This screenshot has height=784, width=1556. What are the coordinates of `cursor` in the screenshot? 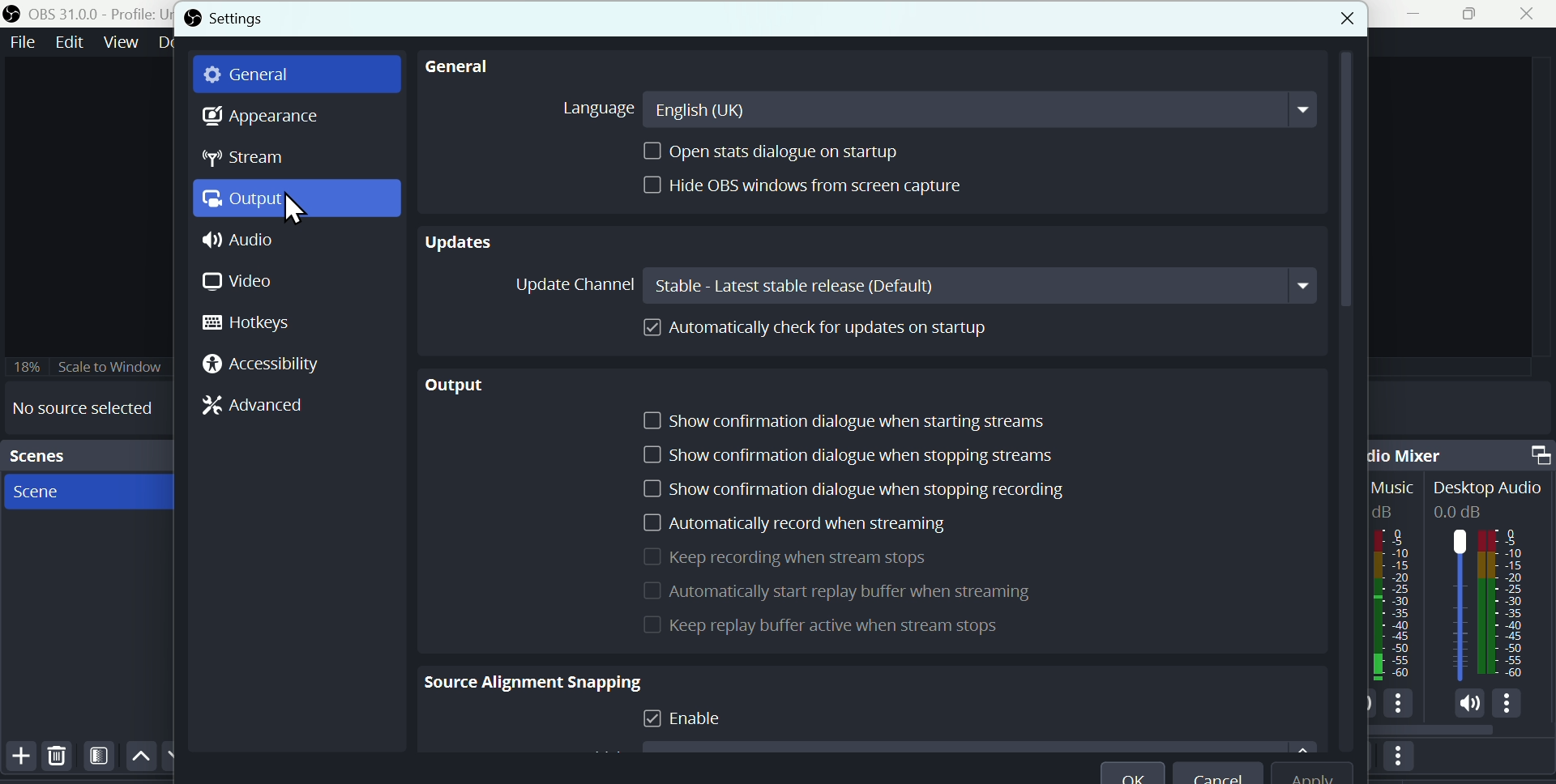 It's located at (292, 210).